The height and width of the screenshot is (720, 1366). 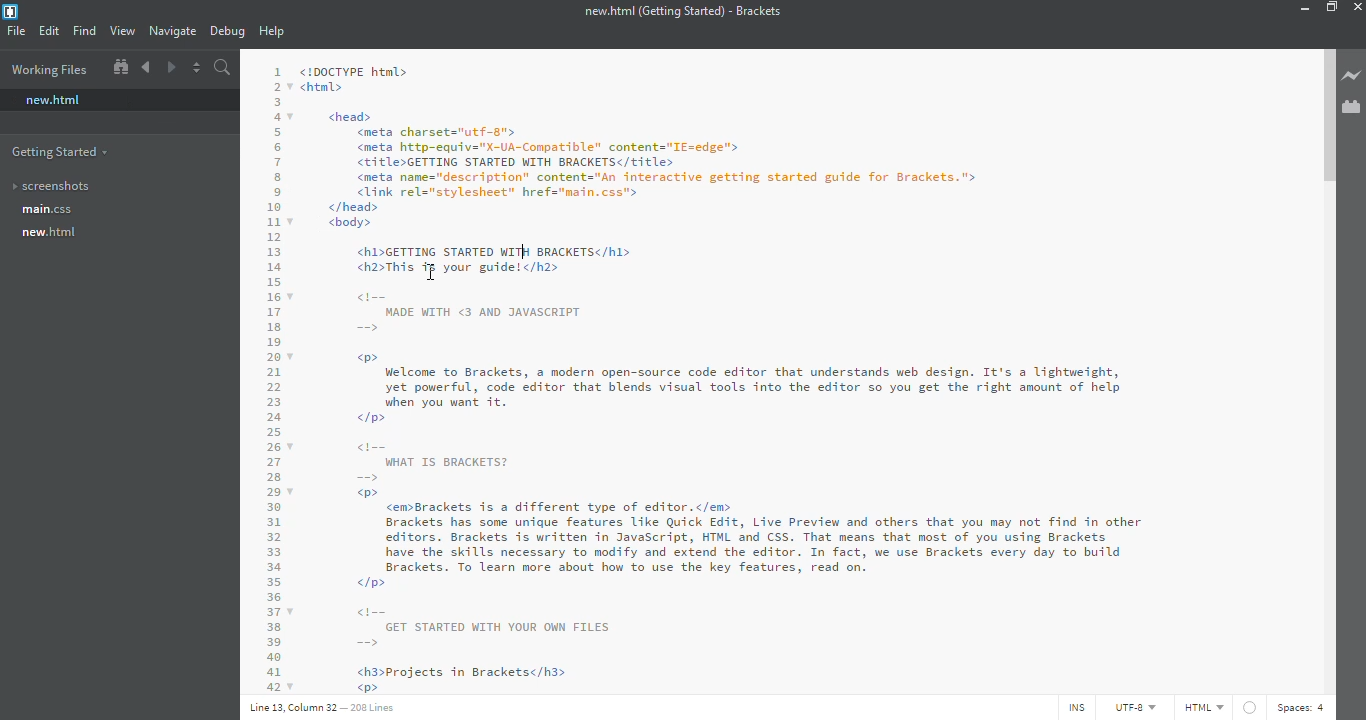 I want to click on <!DOCTYPE html>
 <heal>
<head>

meta charset-rutf-ars

<heta hitp-equiv="X-U-Conpatible" content="IE-edge">

CEit1e>GETTING STARTED WITH BRACKETS</title>

<meta name="description” content="An interactive getting started guide for Brackets."

<link rel="stylesheet" href="main.css">

<head>

<body>

<hI>GETTING STARTED Wil BRACKETS</h1>

ha>This is your guidet</hz>
Ph

WADE WITH <3 AND JAVASCRIPT
EN, so click(x=652, y=199).